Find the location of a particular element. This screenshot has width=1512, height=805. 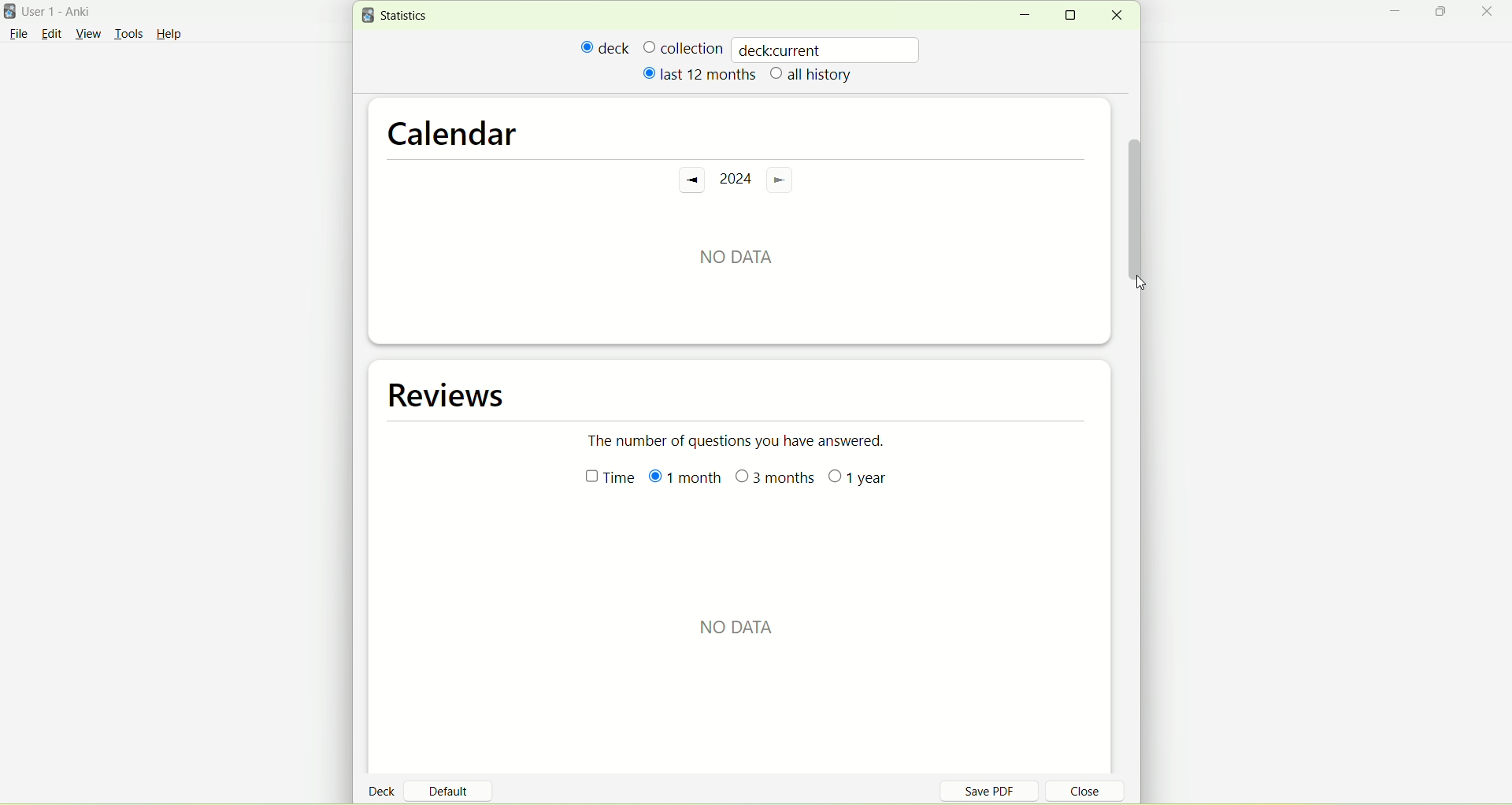

deckcurrent is located at coordinates (828, 49).